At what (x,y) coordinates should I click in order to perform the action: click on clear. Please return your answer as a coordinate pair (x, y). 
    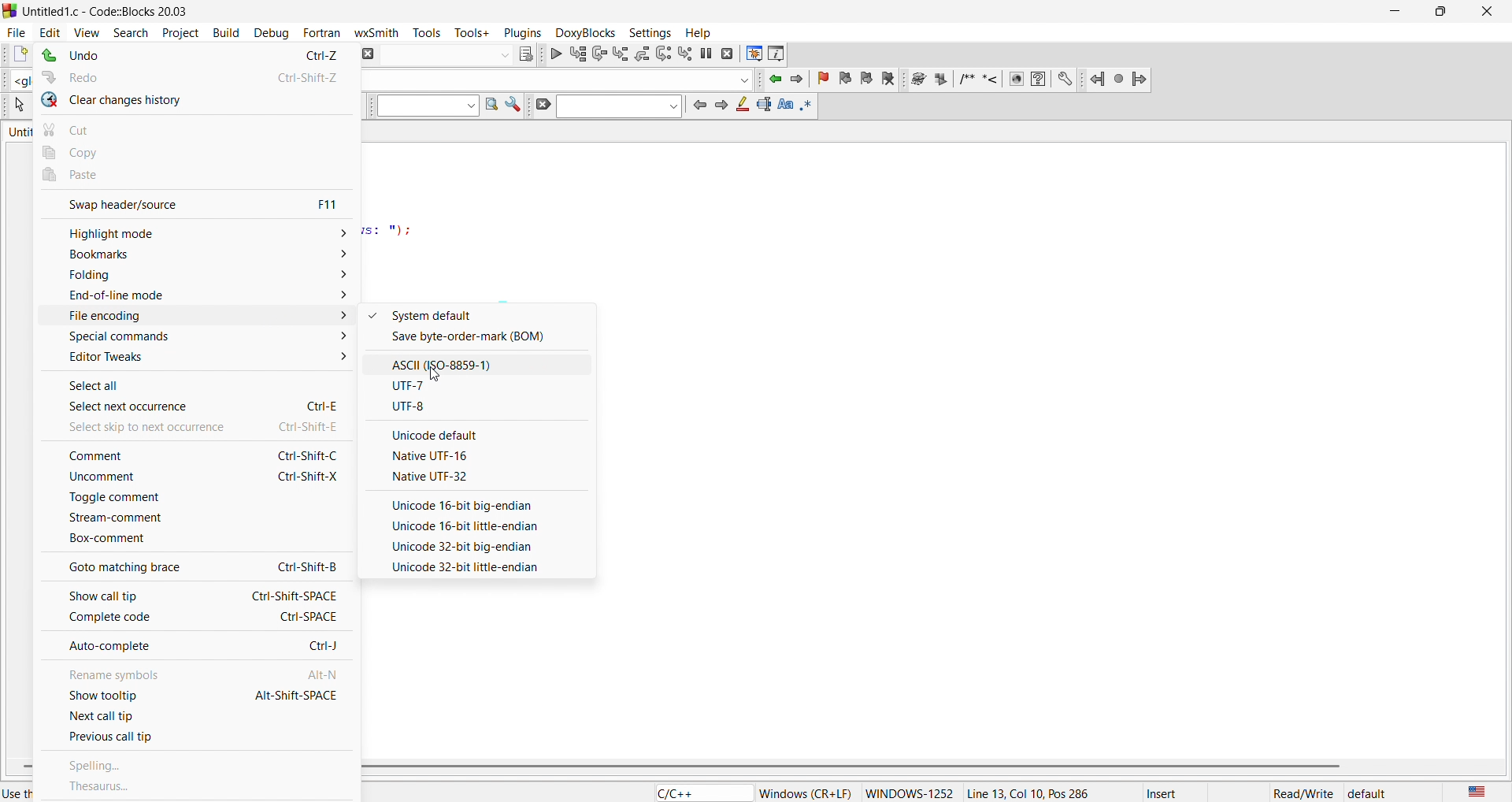
    Looking at the image, I should click on (540, 105).